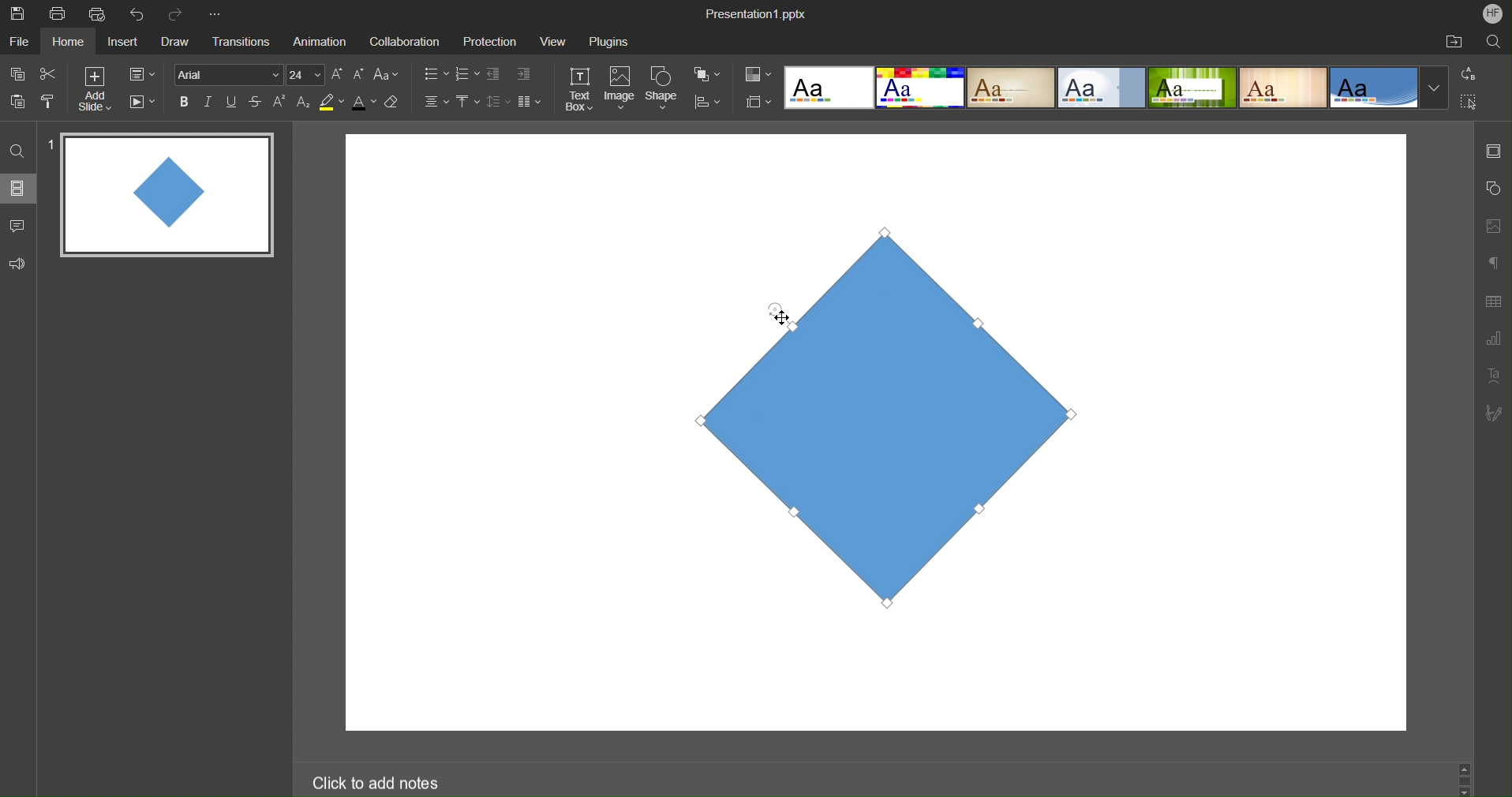 Image resolution: width=1512 pixels, height=797 pixels. I want to click on Line Spacing, so click(499, 101).